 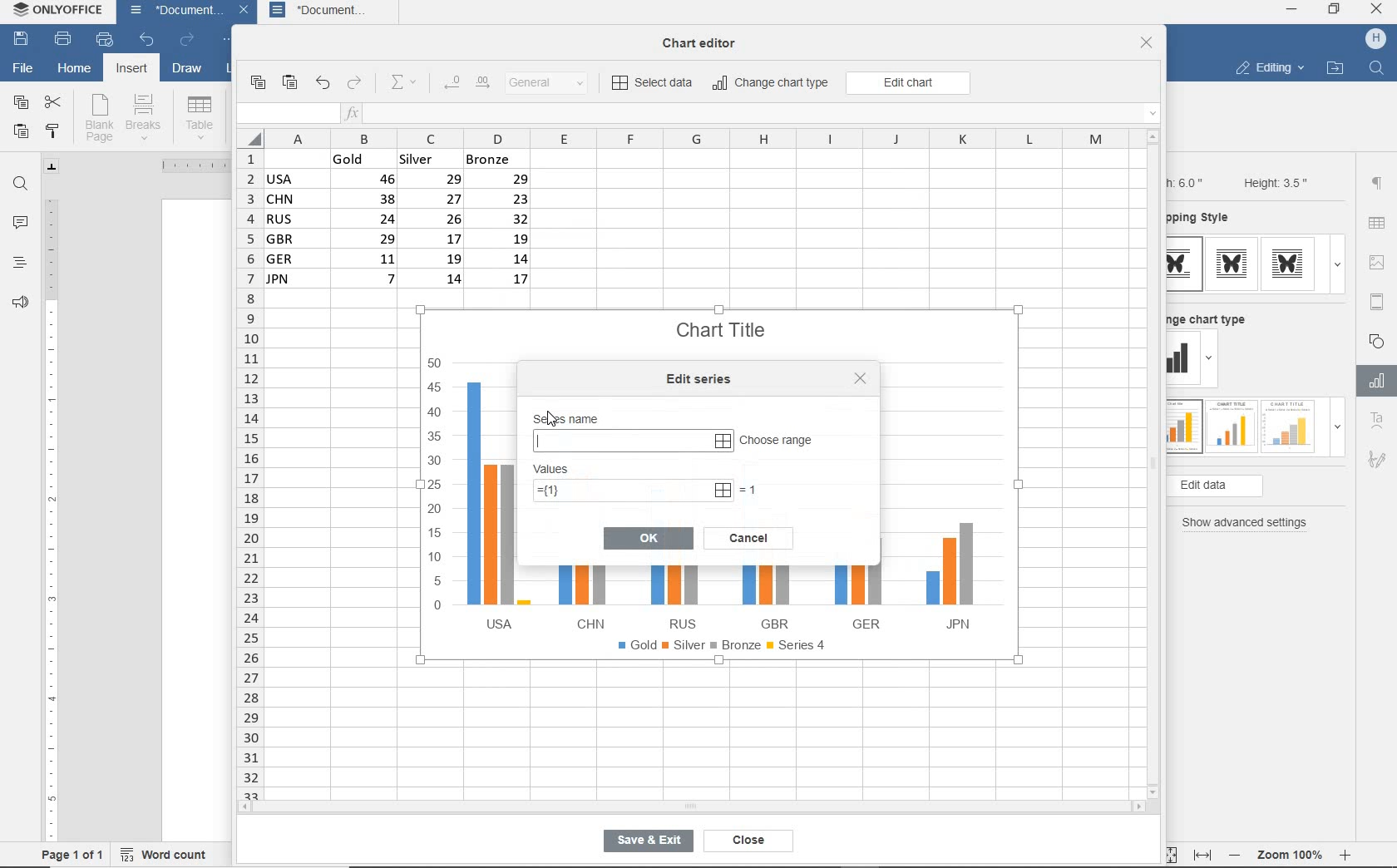 What do you see at coordinates (1205, 219) in the screenshot?
I see `wrapping style` at bounding box center [1205, 219].